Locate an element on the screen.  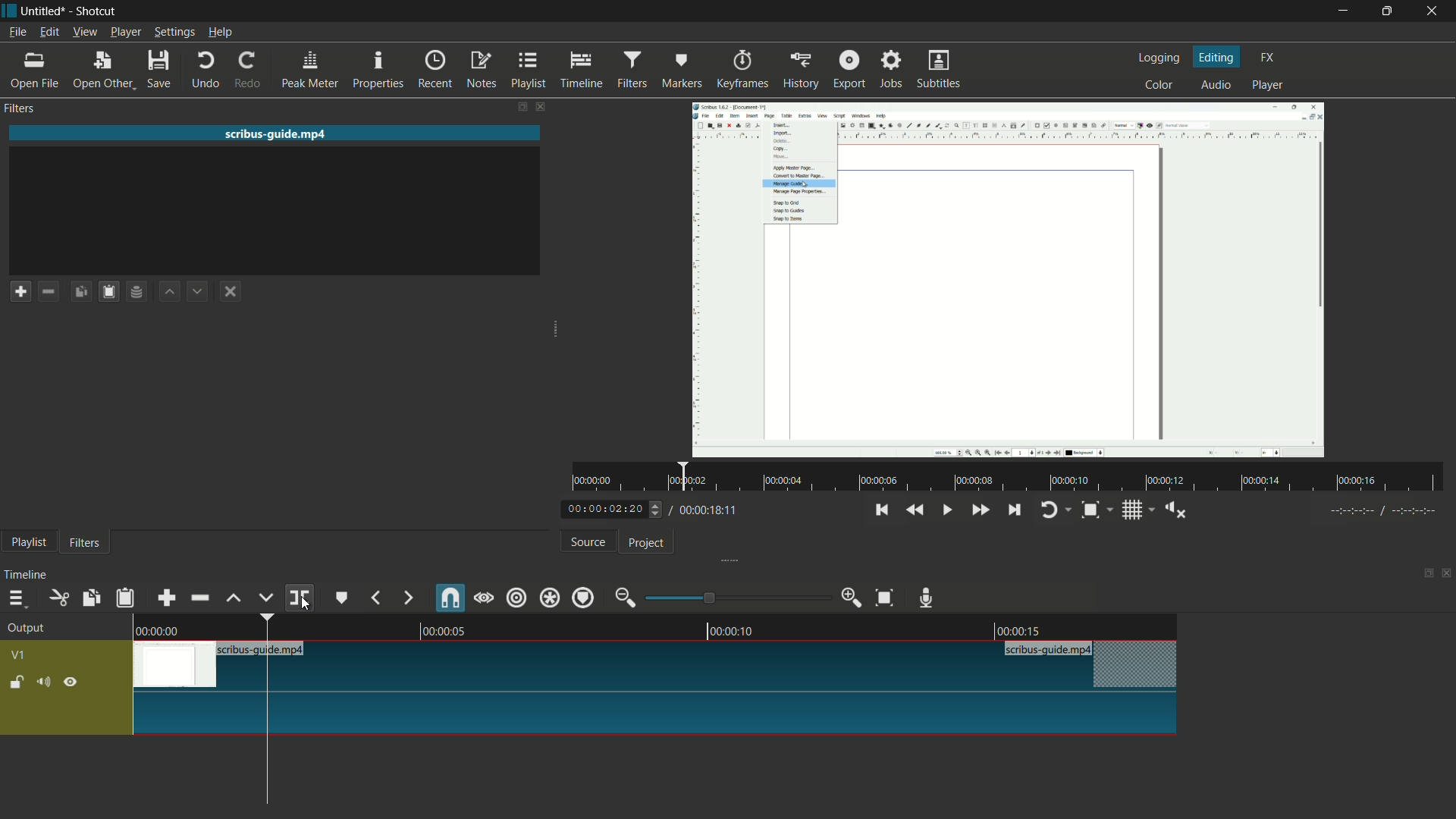
change layout is located at coordinates (519, 105).